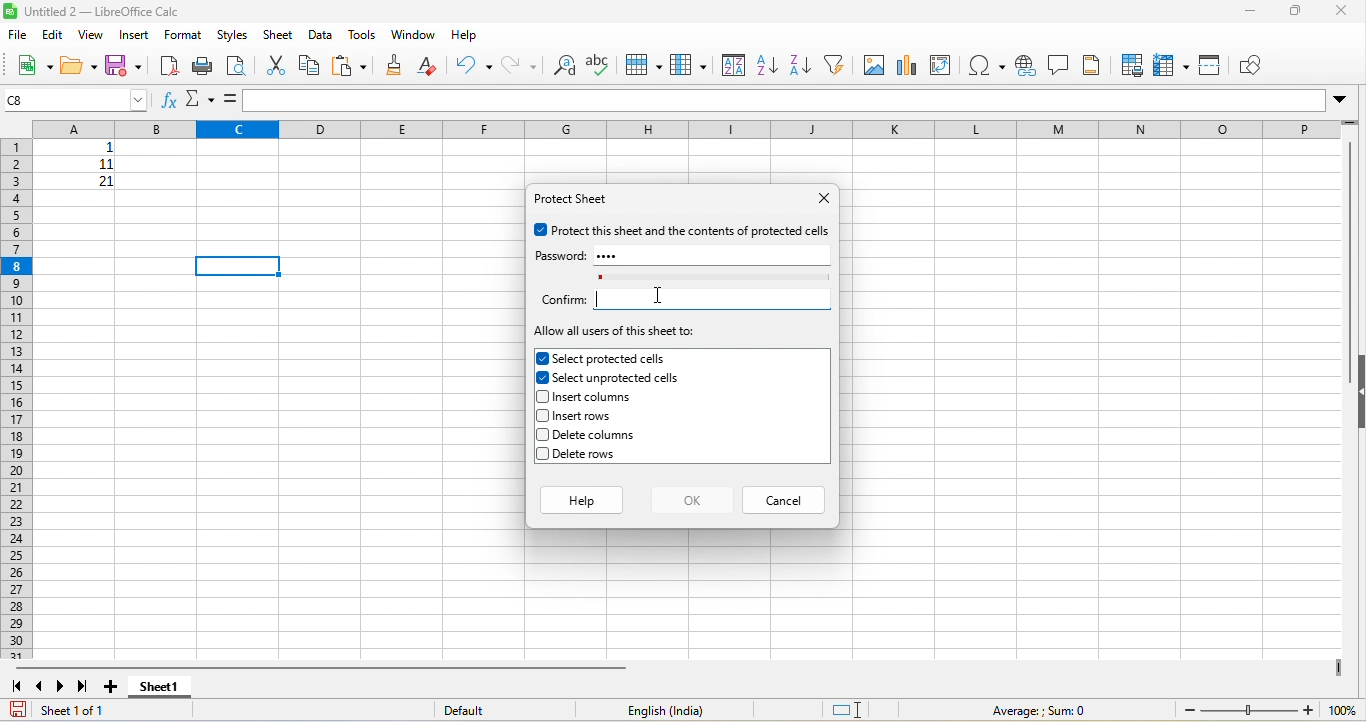 This screenshot has height=722, width=1366. What do you see at coordinates (682, 230) in the screenshot?
I see `protect this sheet and the contents of protected cell` at bounding box center [682, 230].